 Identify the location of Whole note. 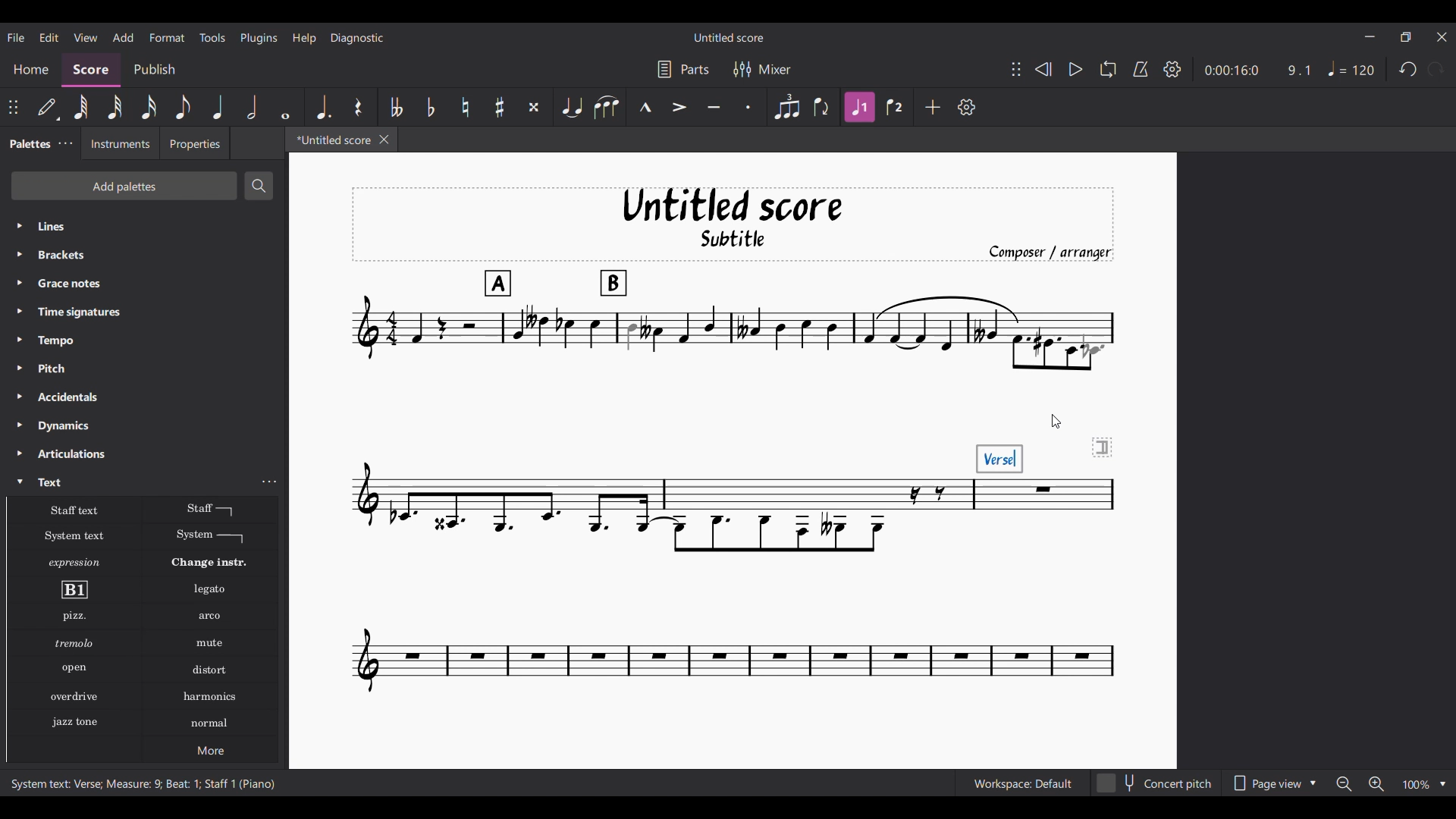
(287, 107).